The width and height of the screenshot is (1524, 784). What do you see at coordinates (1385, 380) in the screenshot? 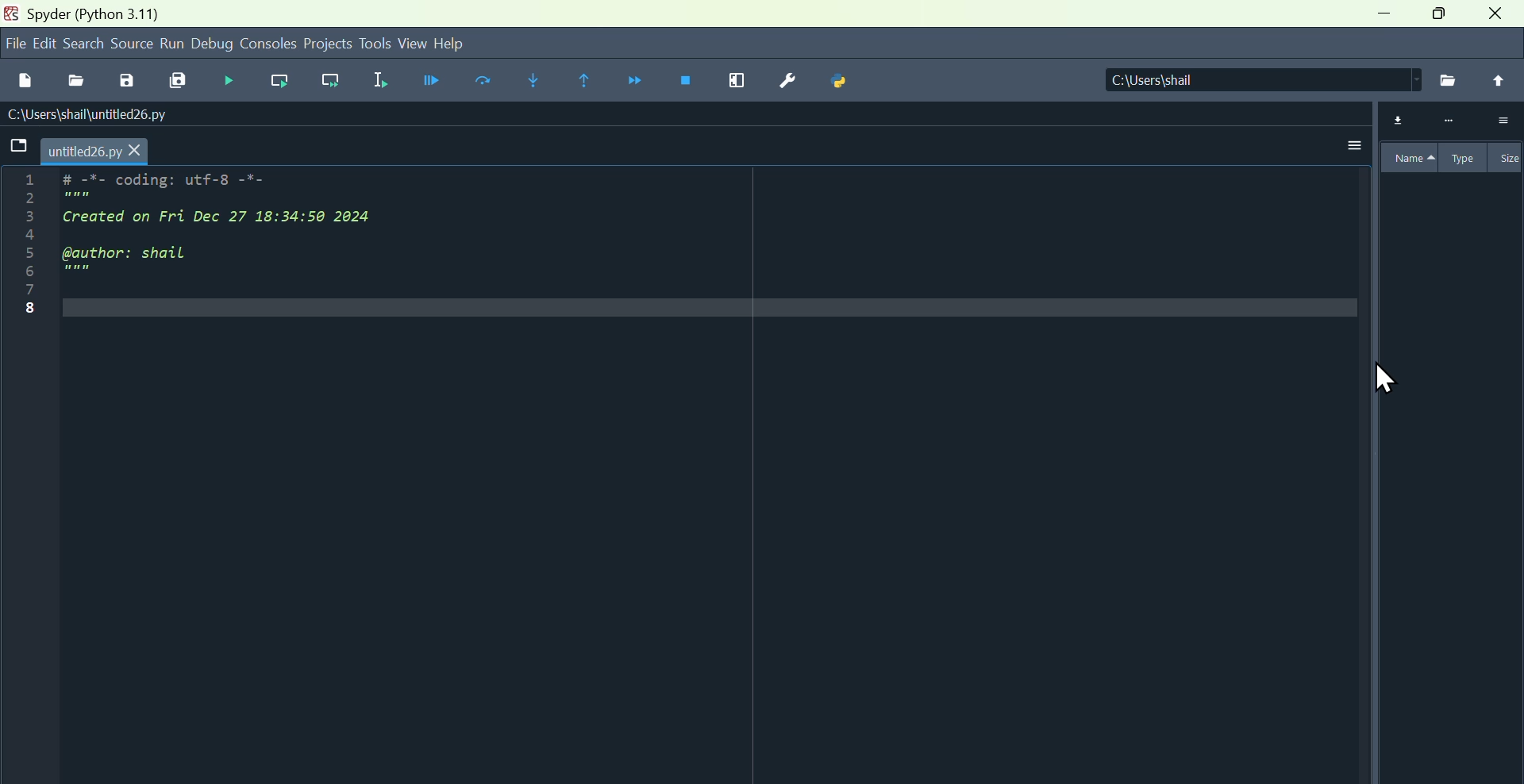
I see `Carsar` at bounding box center [1385, 380].